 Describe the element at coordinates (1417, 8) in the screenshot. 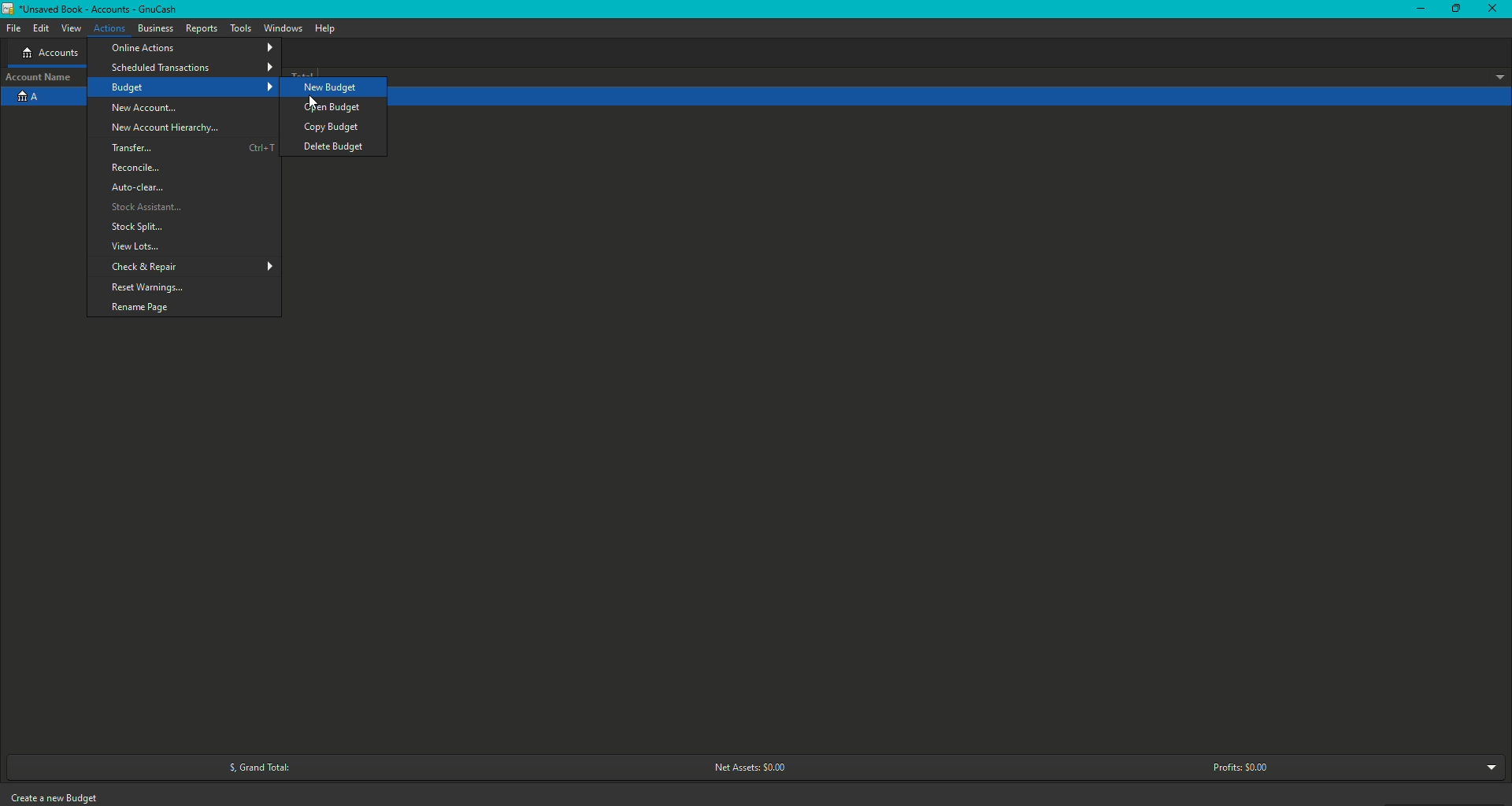

I see `Minimize` at that location.